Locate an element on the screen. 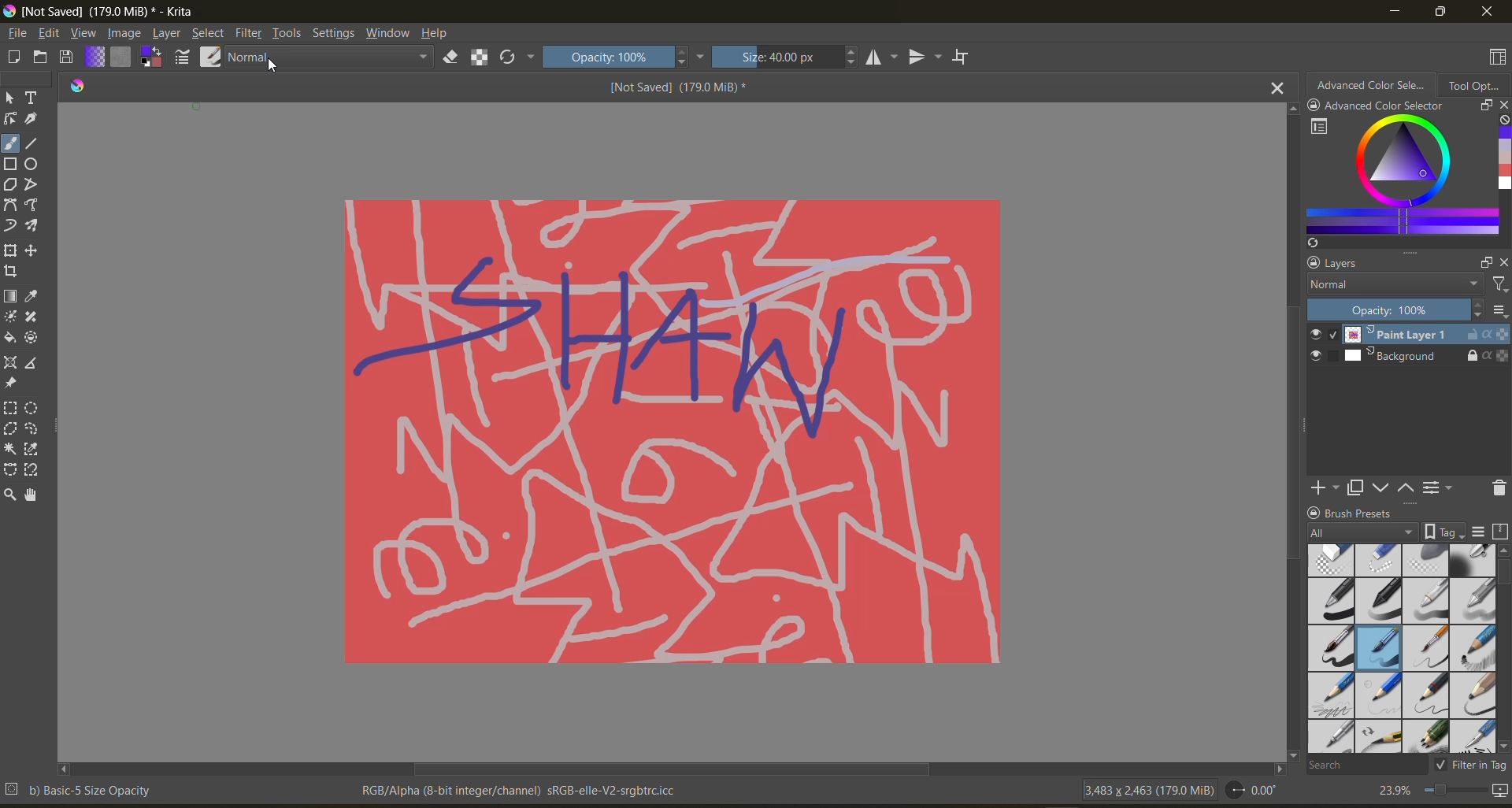 The image size is (1512, 808). Advanced color selector is located at coordinates (1372, 84).